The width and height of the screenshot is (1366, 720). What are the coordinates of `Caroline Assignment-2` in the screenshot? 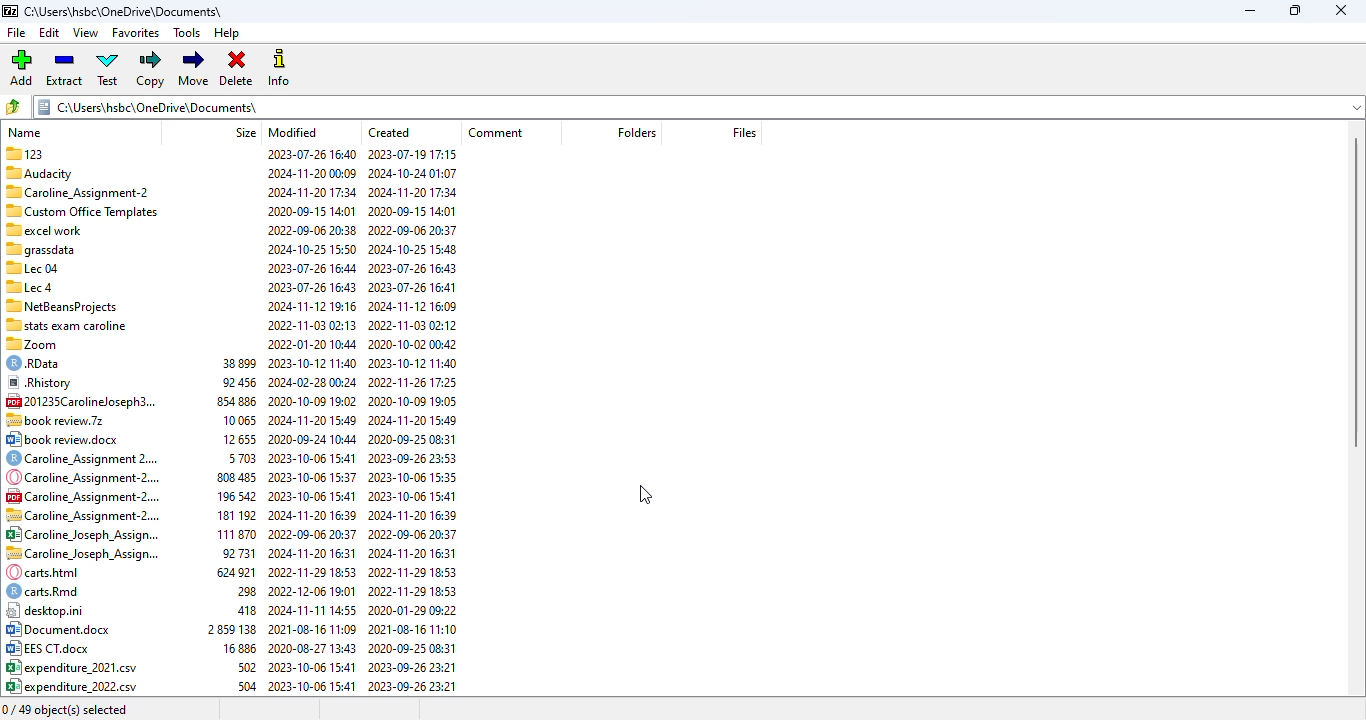 It's located at (77, 192).